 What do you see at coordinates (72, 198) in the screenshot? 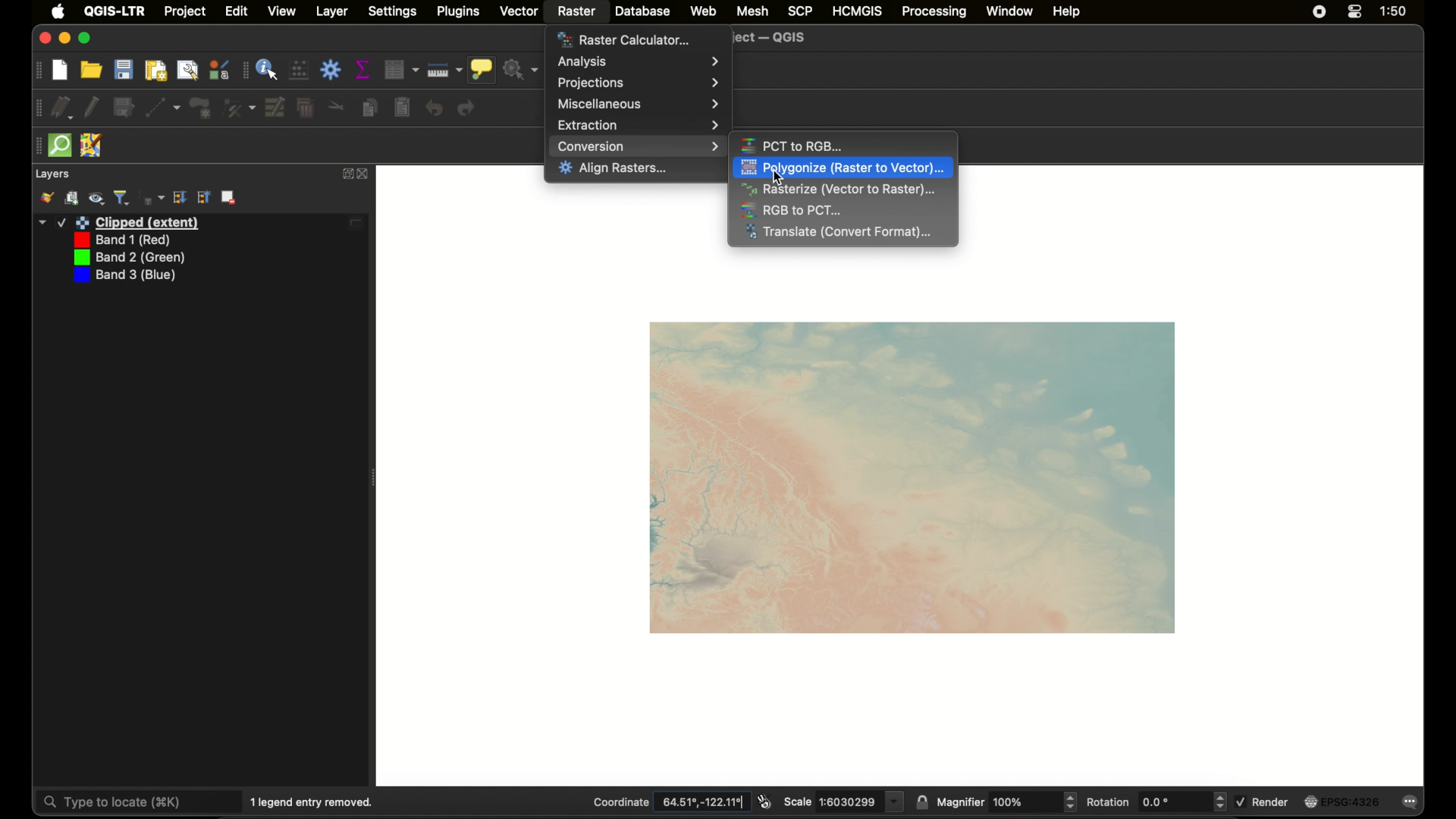
I see `add group` at bounding box center [72, 198].